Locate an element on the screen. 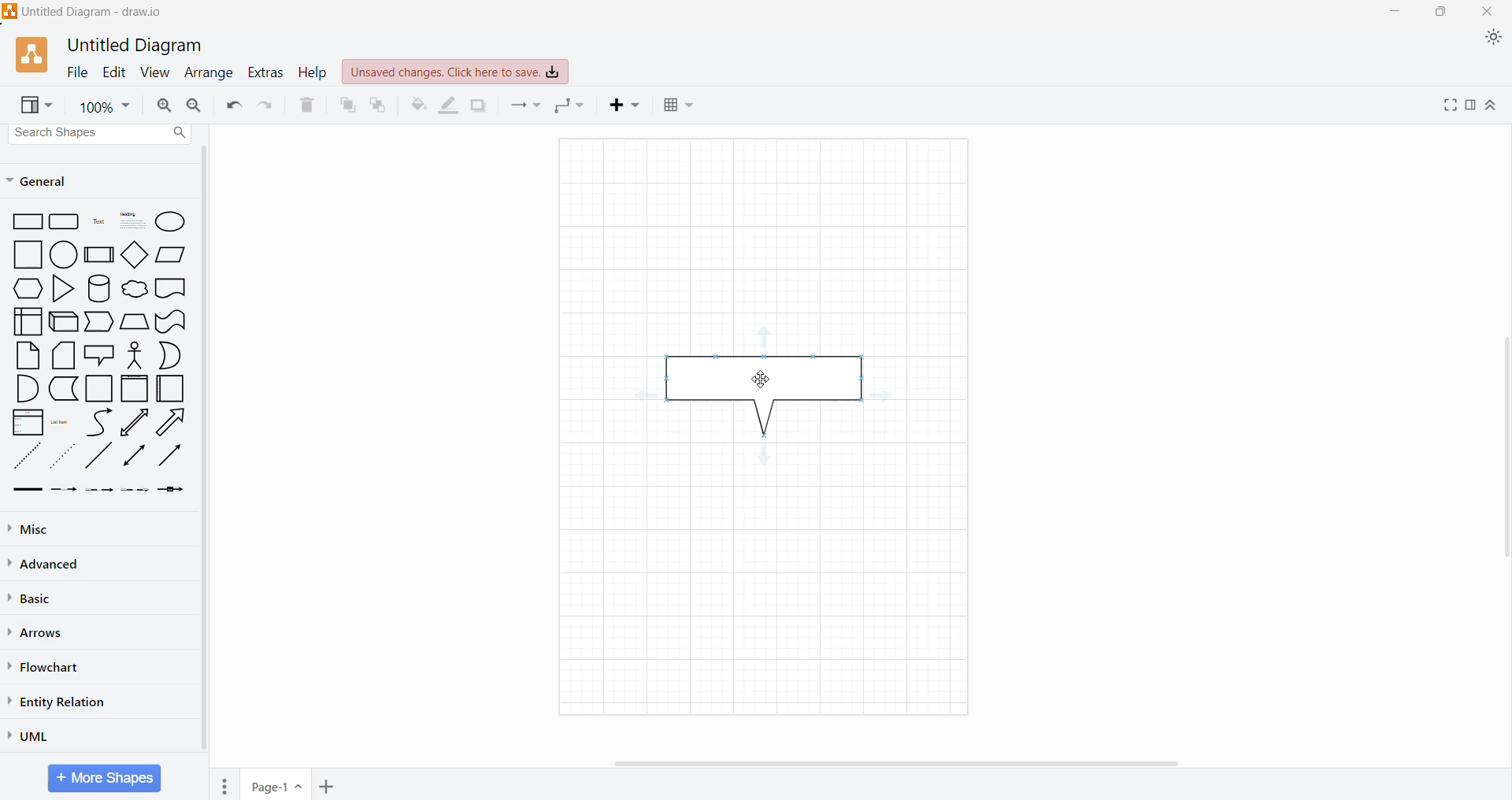  More Shapes is located at coordinates (104, 778).